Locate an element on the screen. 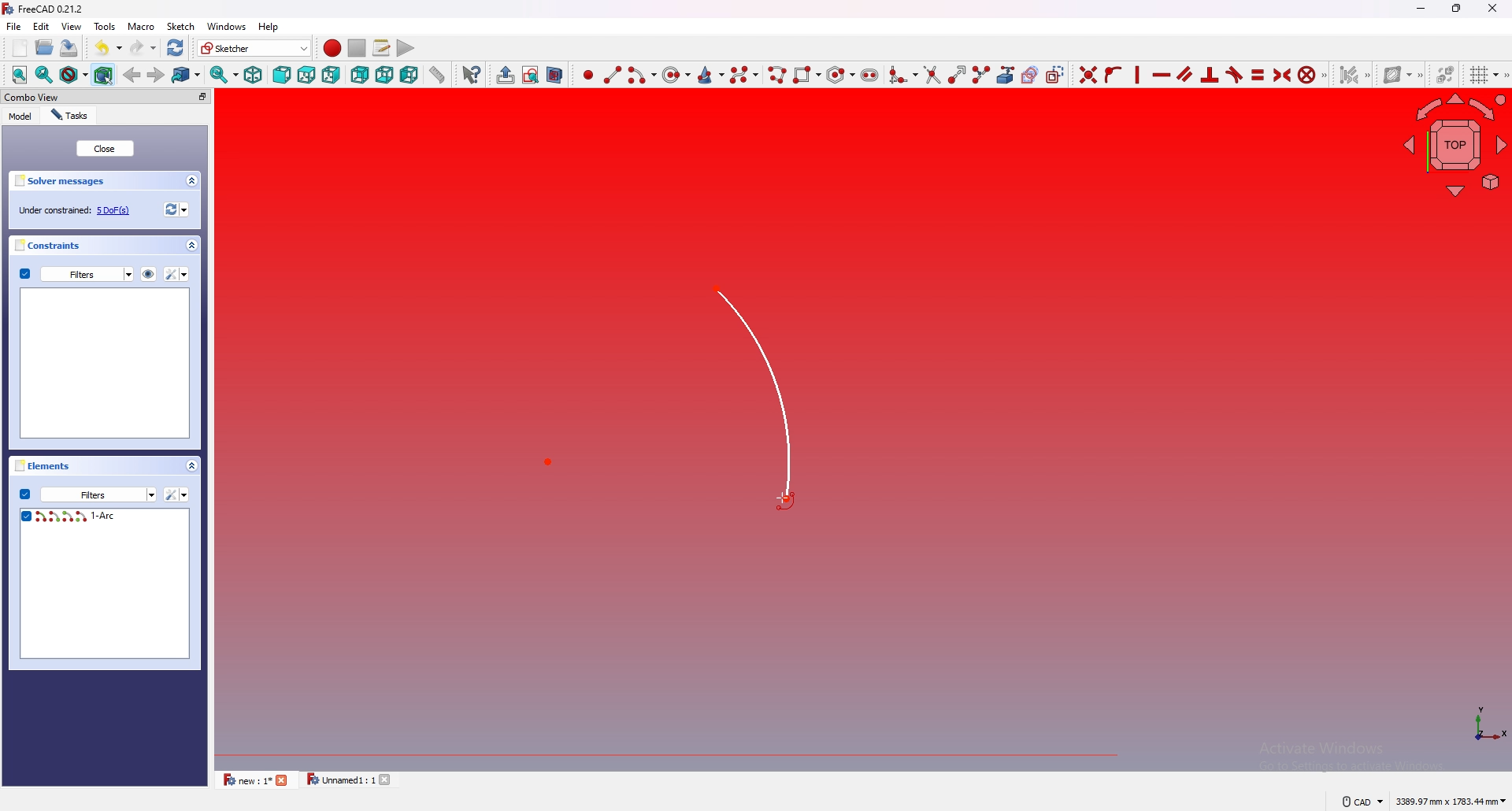 Image resolution: width=1512 pixels, height=811 pixels. close is located at coordinates (104, 148).